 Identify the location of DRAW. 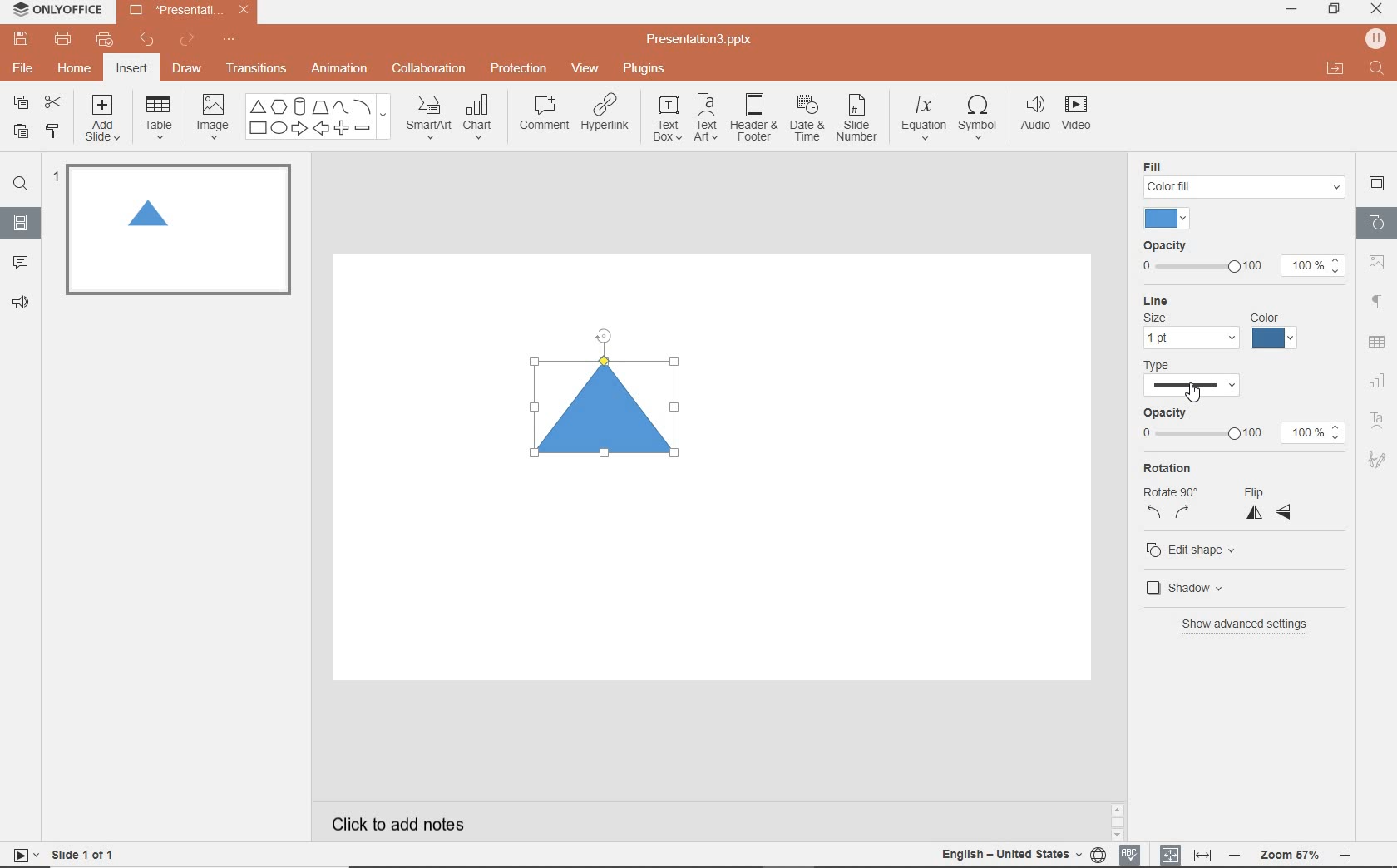
(188, 70).